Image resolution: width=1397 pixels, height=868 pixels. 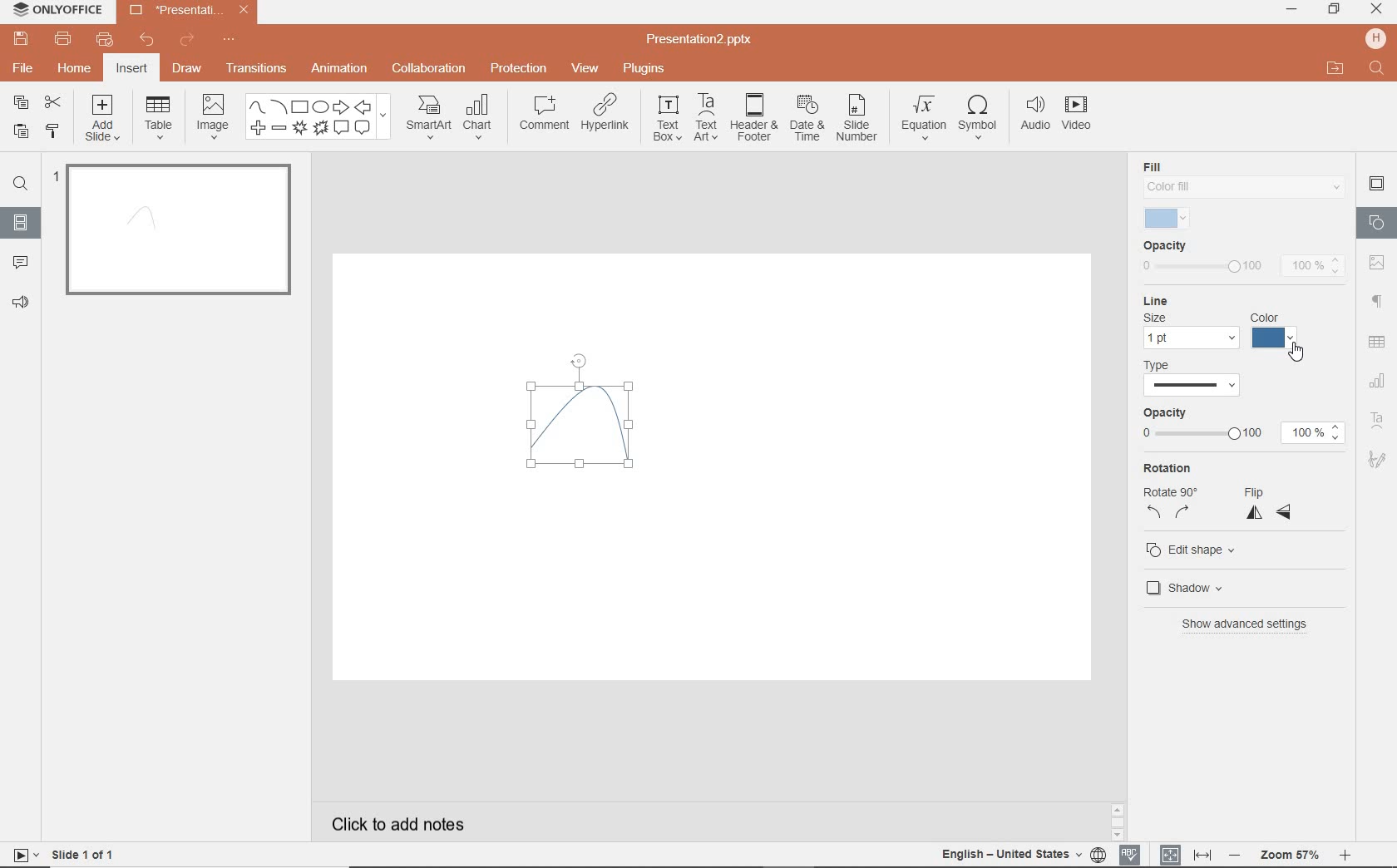 What do you see at coordinates (24, 40) in the screenshot?
I see `SAVE` at bounding box center [24, 40].